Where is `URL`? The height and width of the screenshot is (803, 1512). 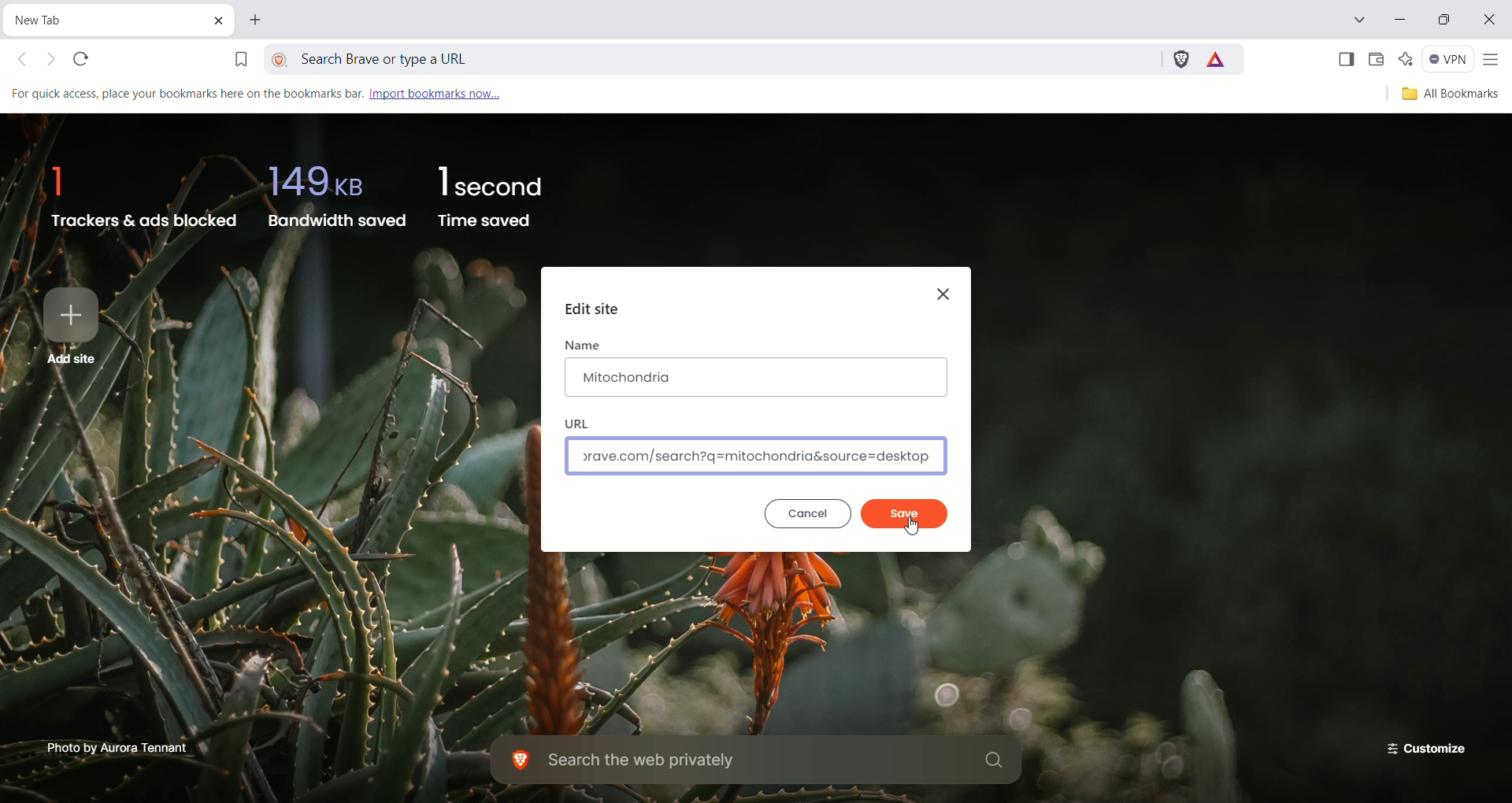
URL is located at coordinates (580, 422).